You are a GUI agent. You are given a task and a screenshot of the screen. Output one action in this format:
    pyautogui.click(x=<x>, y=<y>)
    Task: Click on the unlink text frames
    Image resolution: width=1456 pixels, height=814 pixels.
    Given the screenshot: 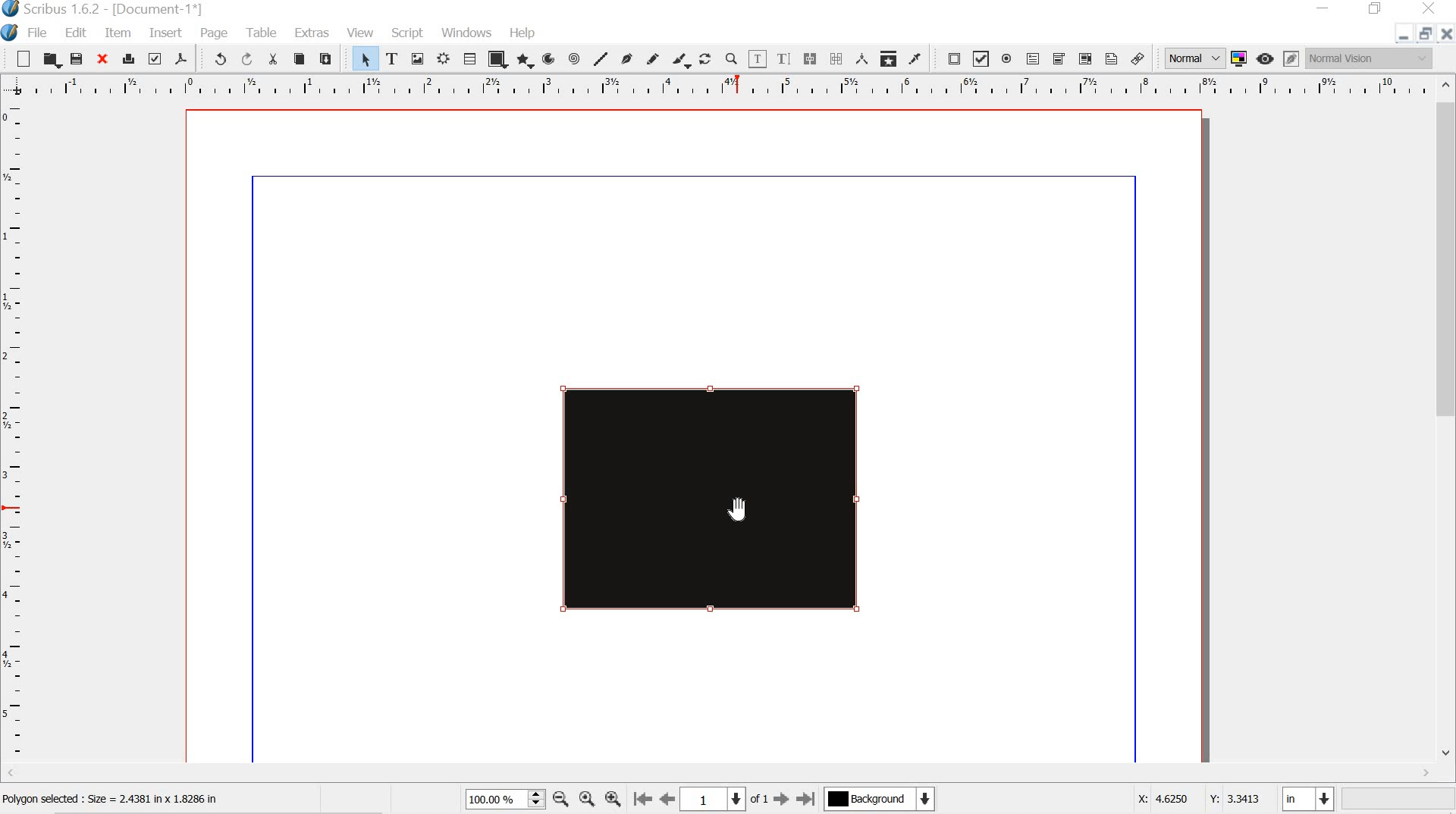 What is the action you would take?
    pyautogui.click(x=834, y=58)
    